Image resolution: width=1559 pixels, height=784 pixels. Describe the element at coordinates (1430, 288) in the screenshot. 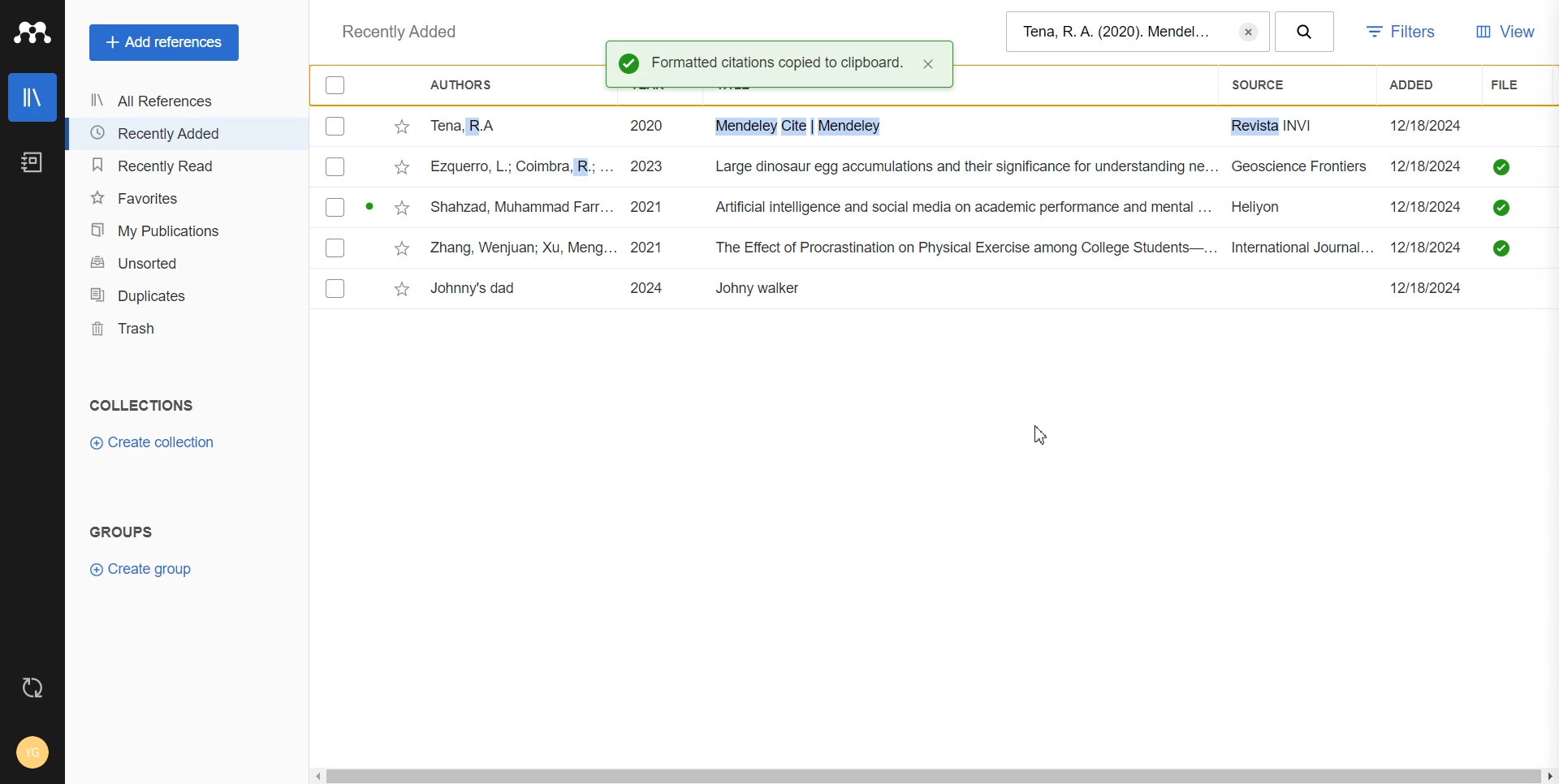

I see `12/18/2024` at that location.